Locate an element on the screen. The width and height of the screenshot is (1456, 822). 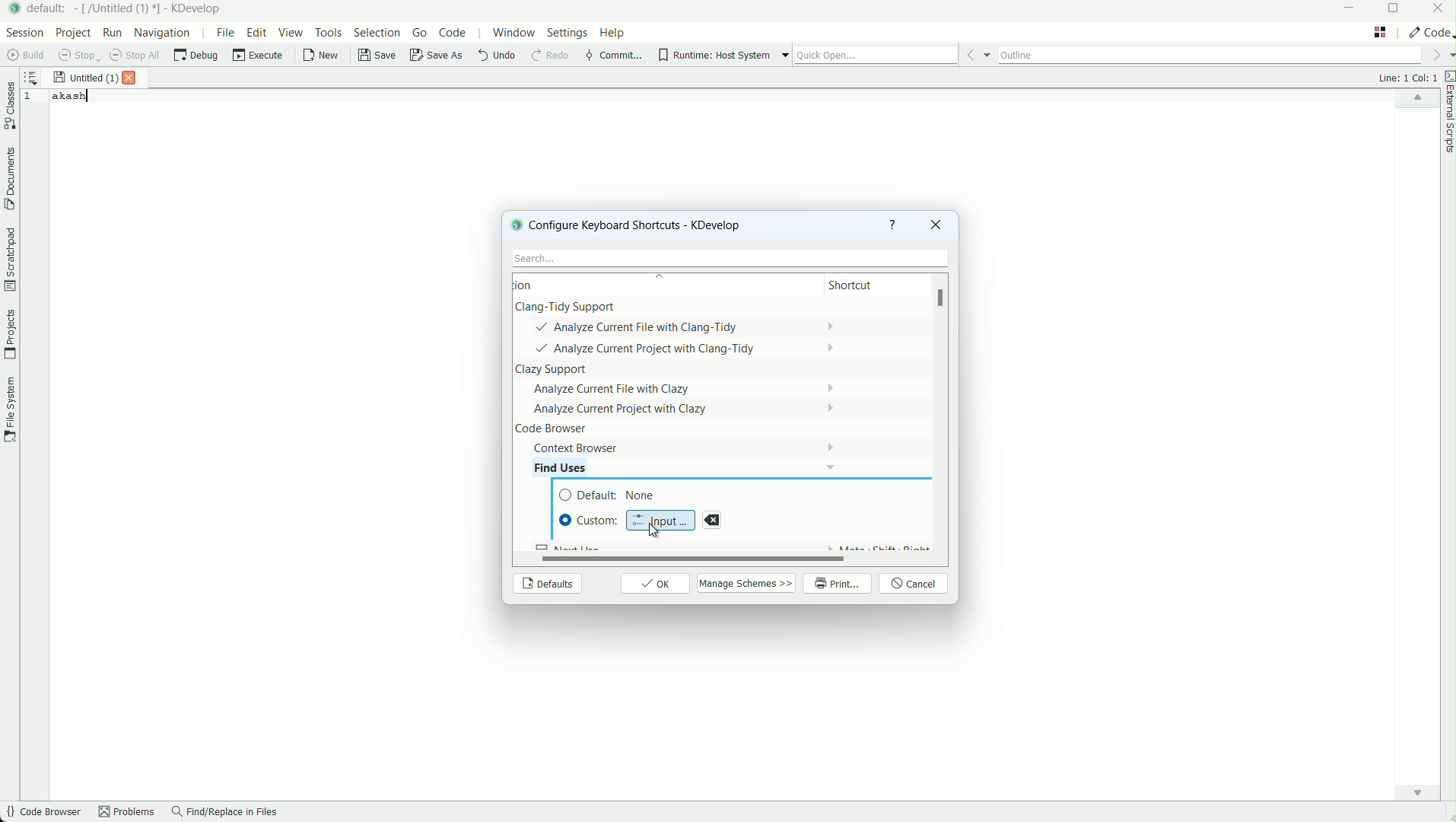
project menu is located at coordinates (72, 33).